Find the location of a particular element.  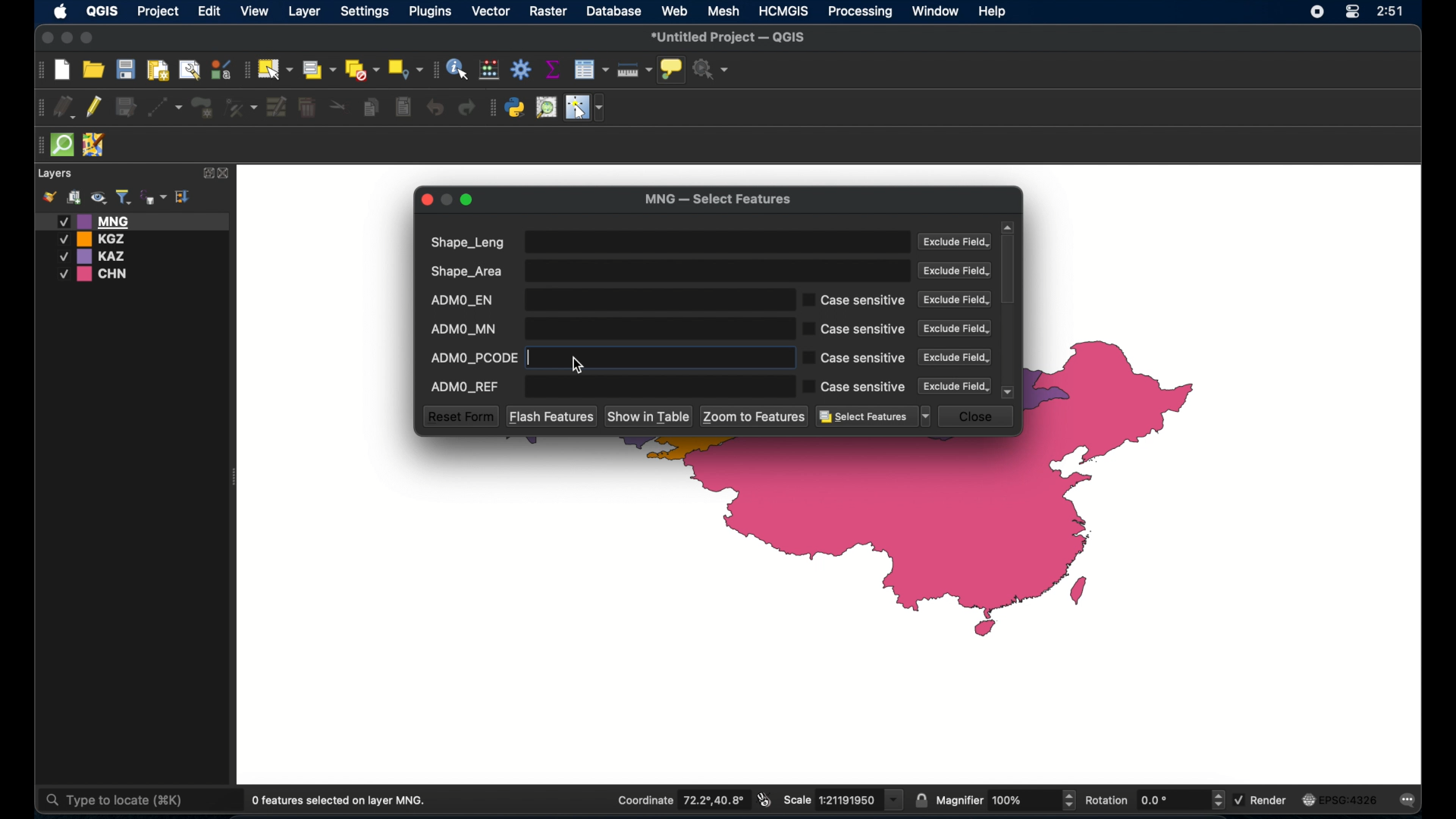

python console is located at coordinates (516, 108).